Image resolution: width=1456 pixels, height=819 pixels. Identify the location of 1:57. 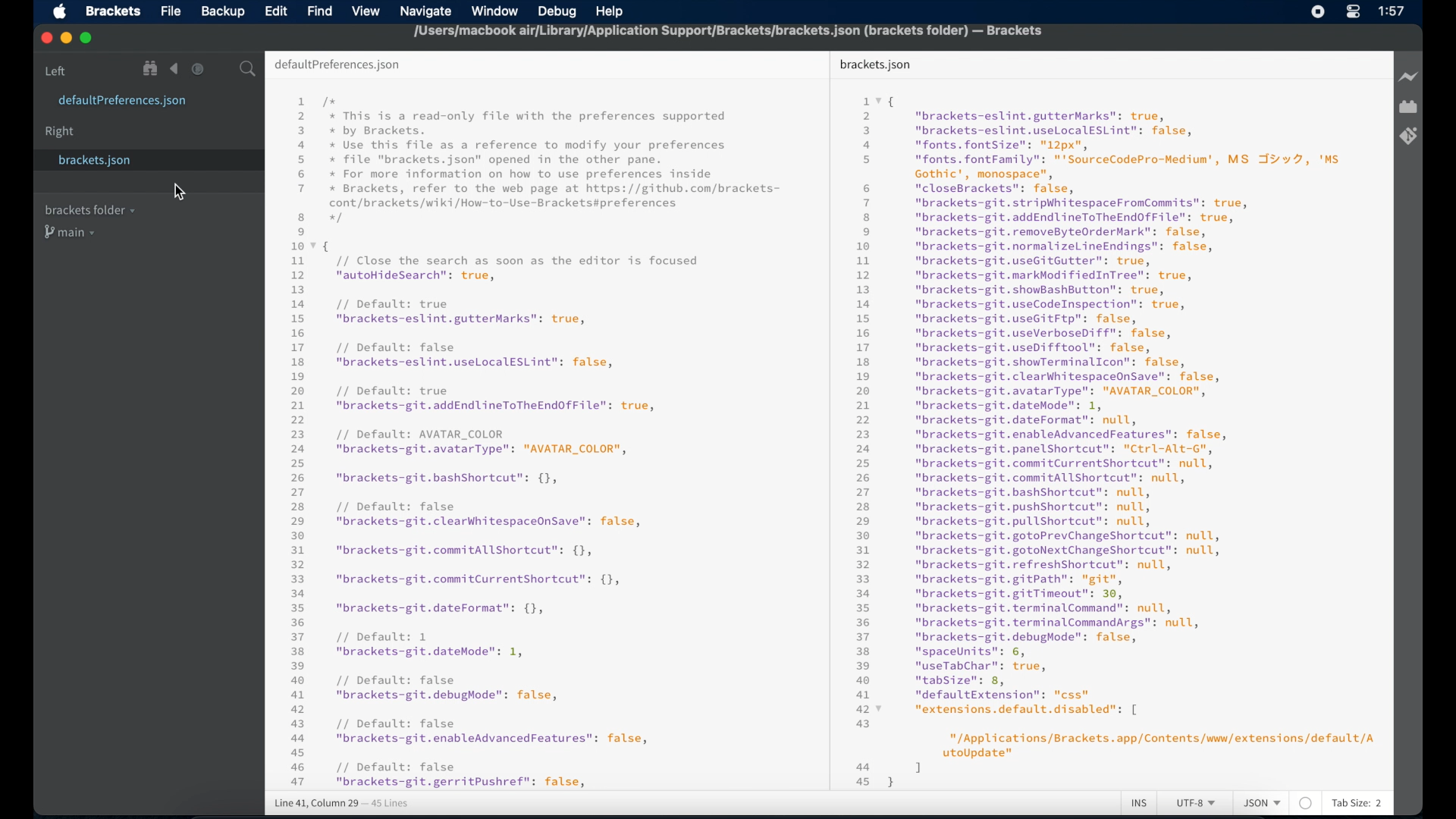
(1392, 11).